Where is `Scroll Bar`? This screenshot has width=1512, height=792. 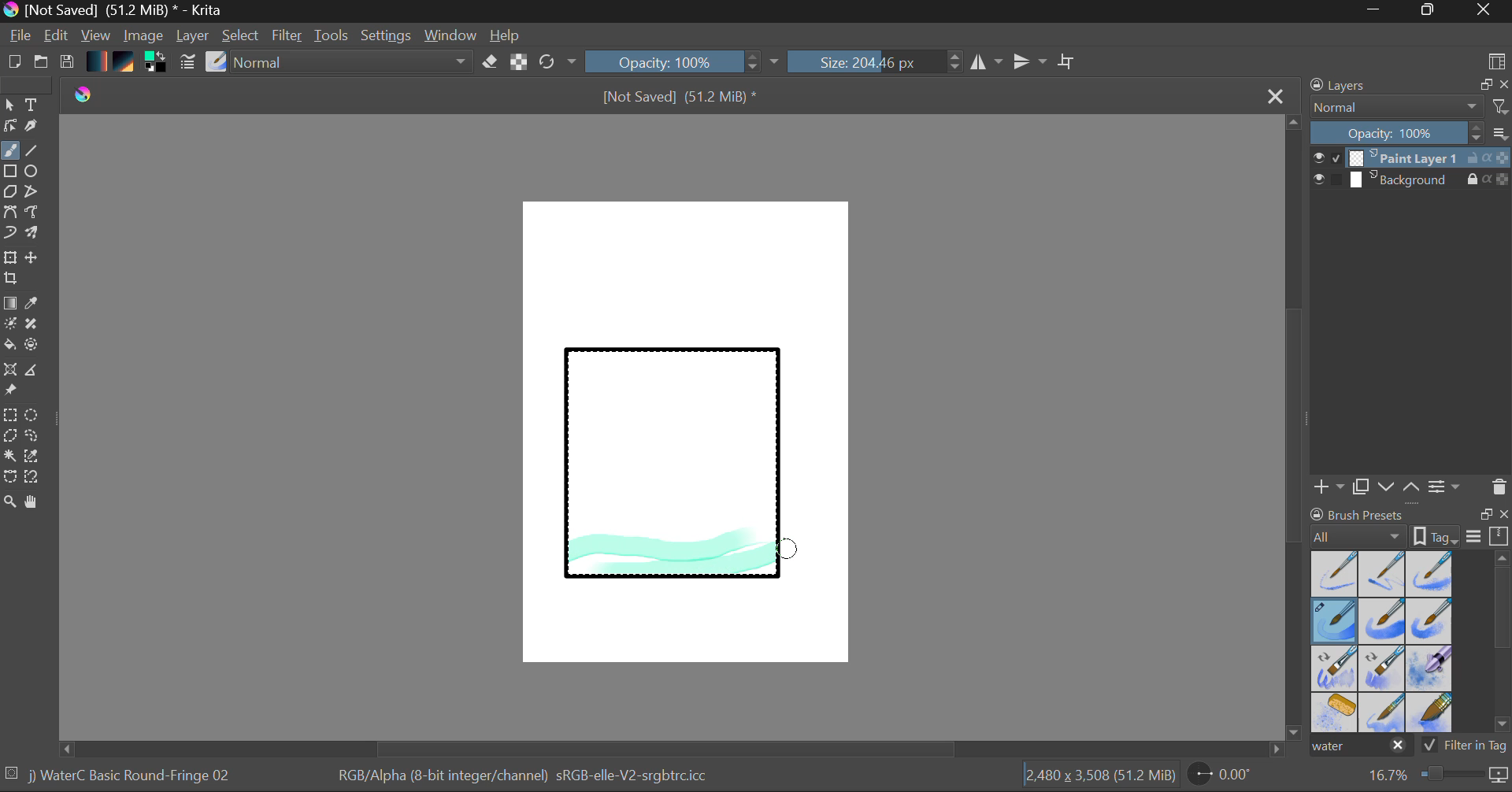
Scroll Bar is located at coordinates (1503, 645).